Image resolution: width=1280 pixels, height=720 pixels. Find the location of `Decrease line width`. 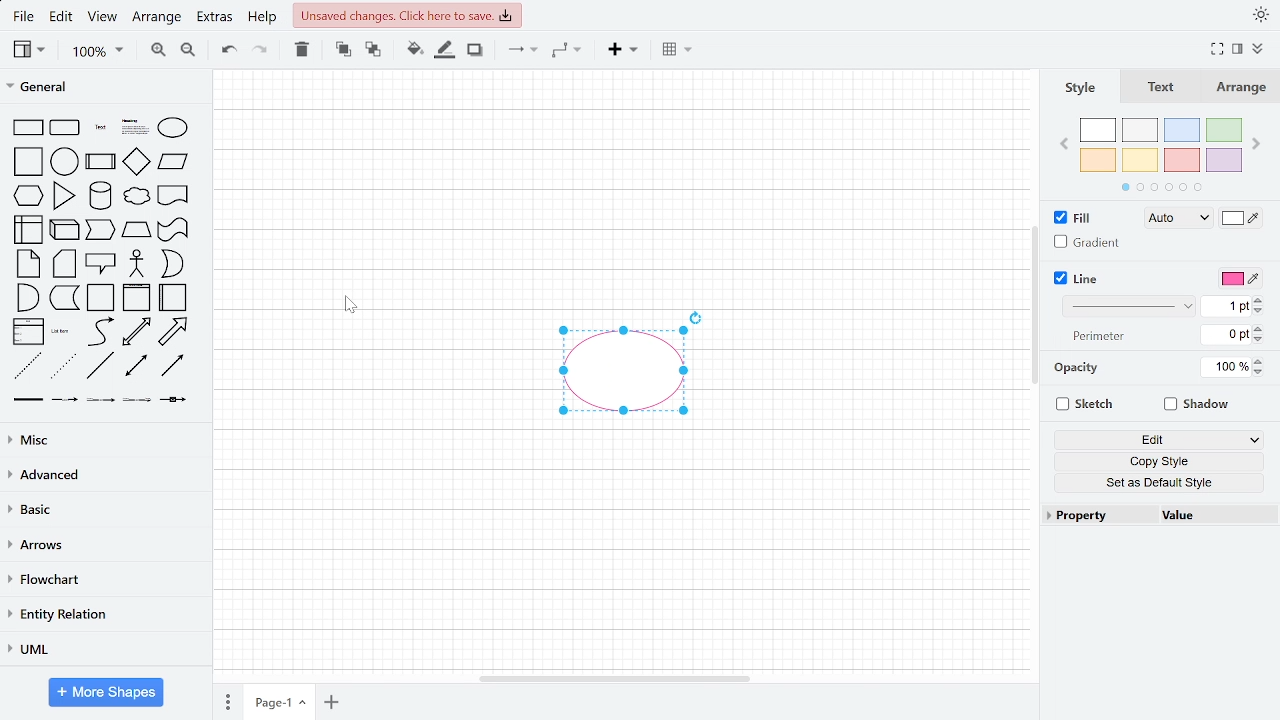

Decrease line width is located at coordinates (1259, 311).